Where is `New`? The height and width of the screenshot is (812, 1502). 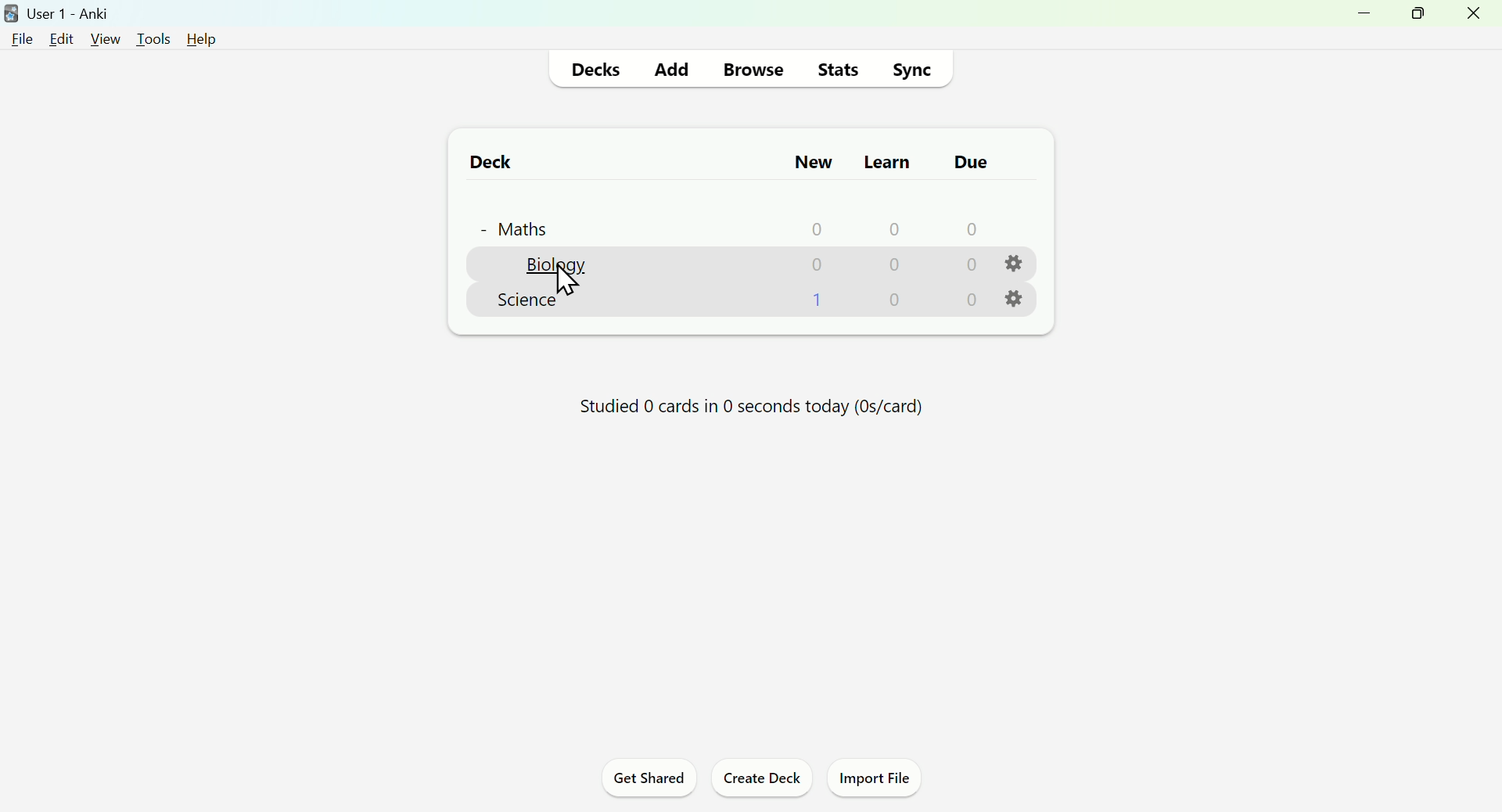 New is located at coordinates (811, 161).